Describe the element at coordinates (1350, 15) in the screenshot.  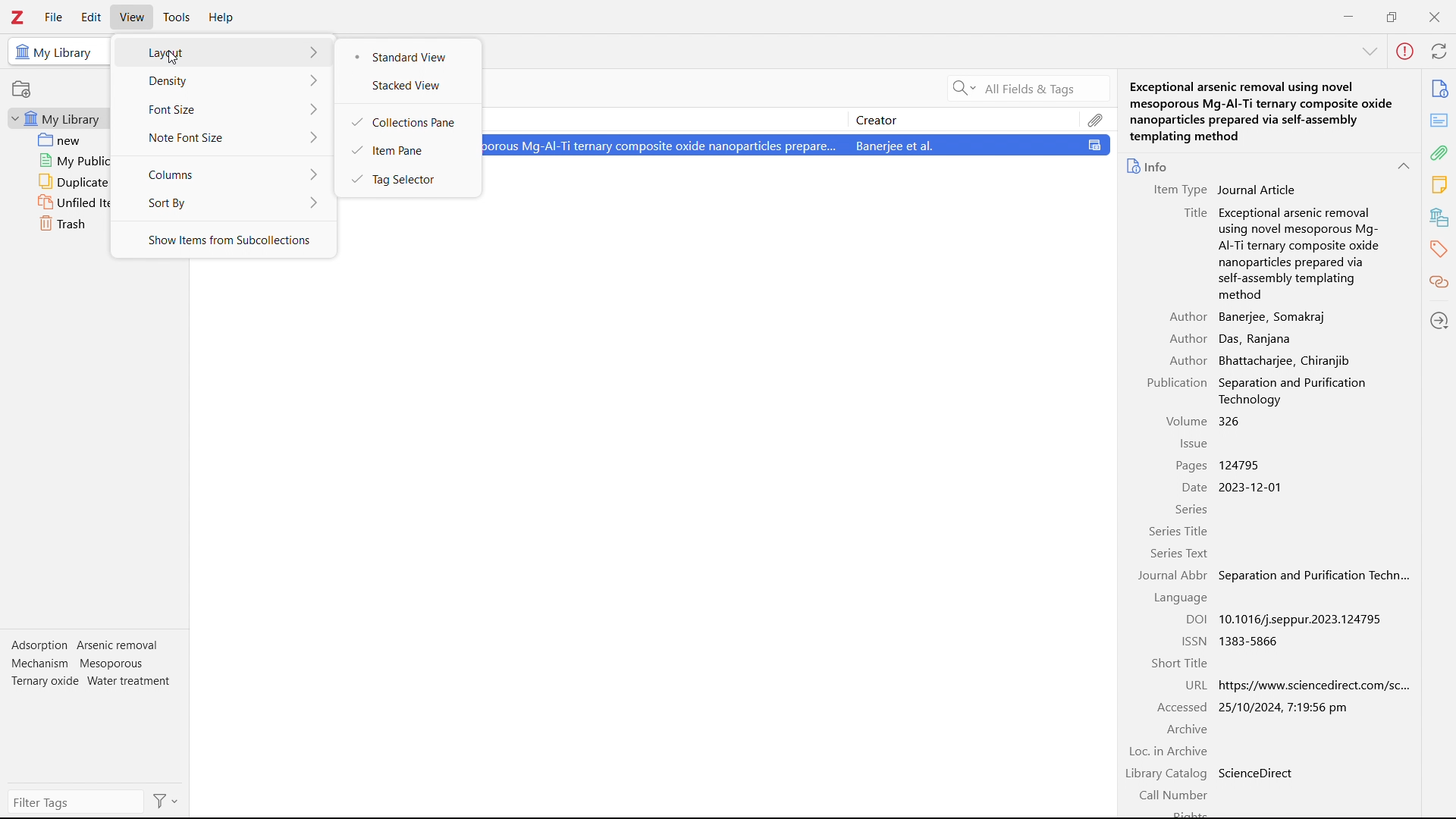
I see `minimize` at that location.